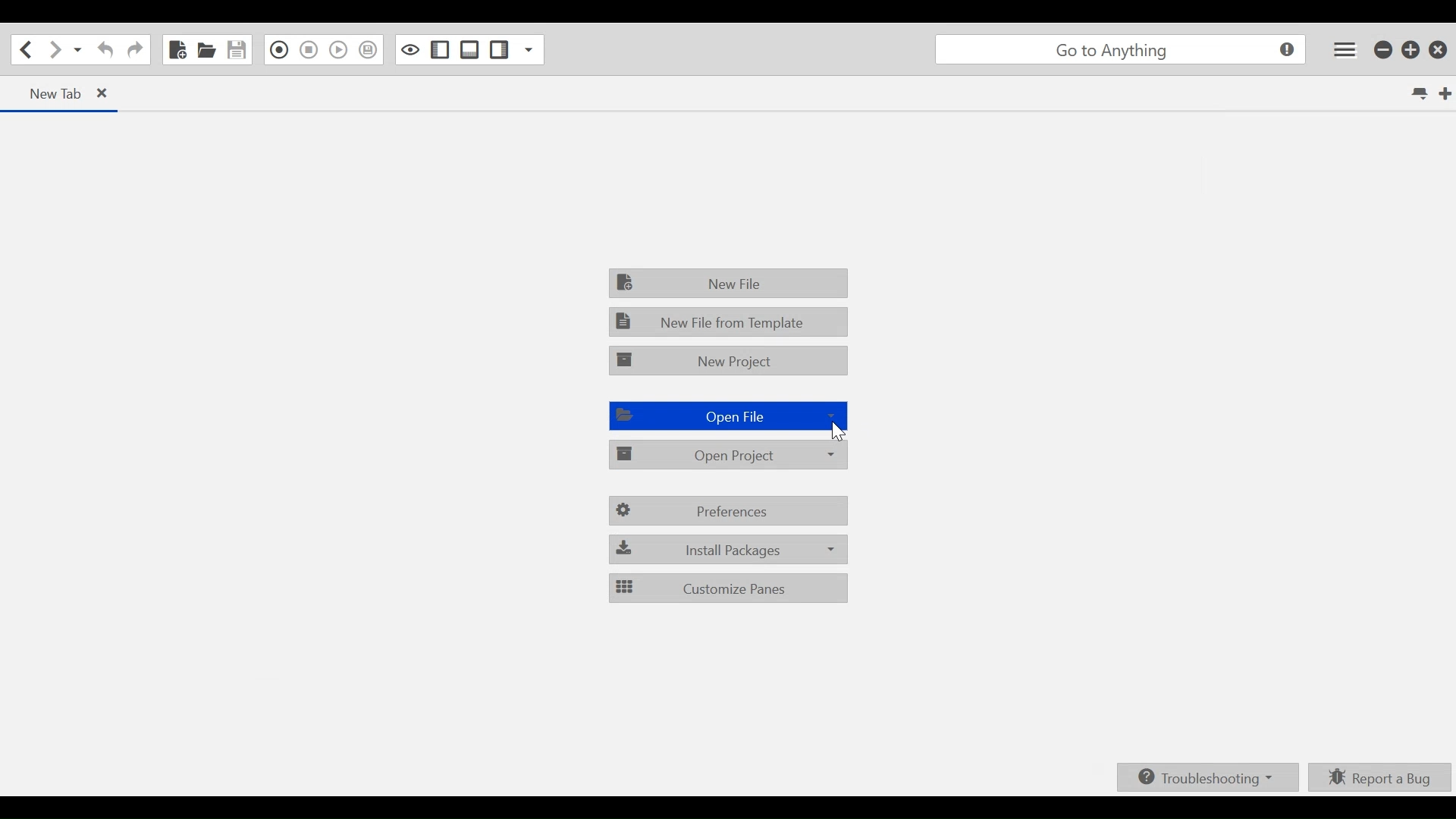 Image resolution: width=1456 pixels, height=819 pixels. Describe the element at coordinates (78, 49) in the screenshot. I see `Recent locations` at that location.